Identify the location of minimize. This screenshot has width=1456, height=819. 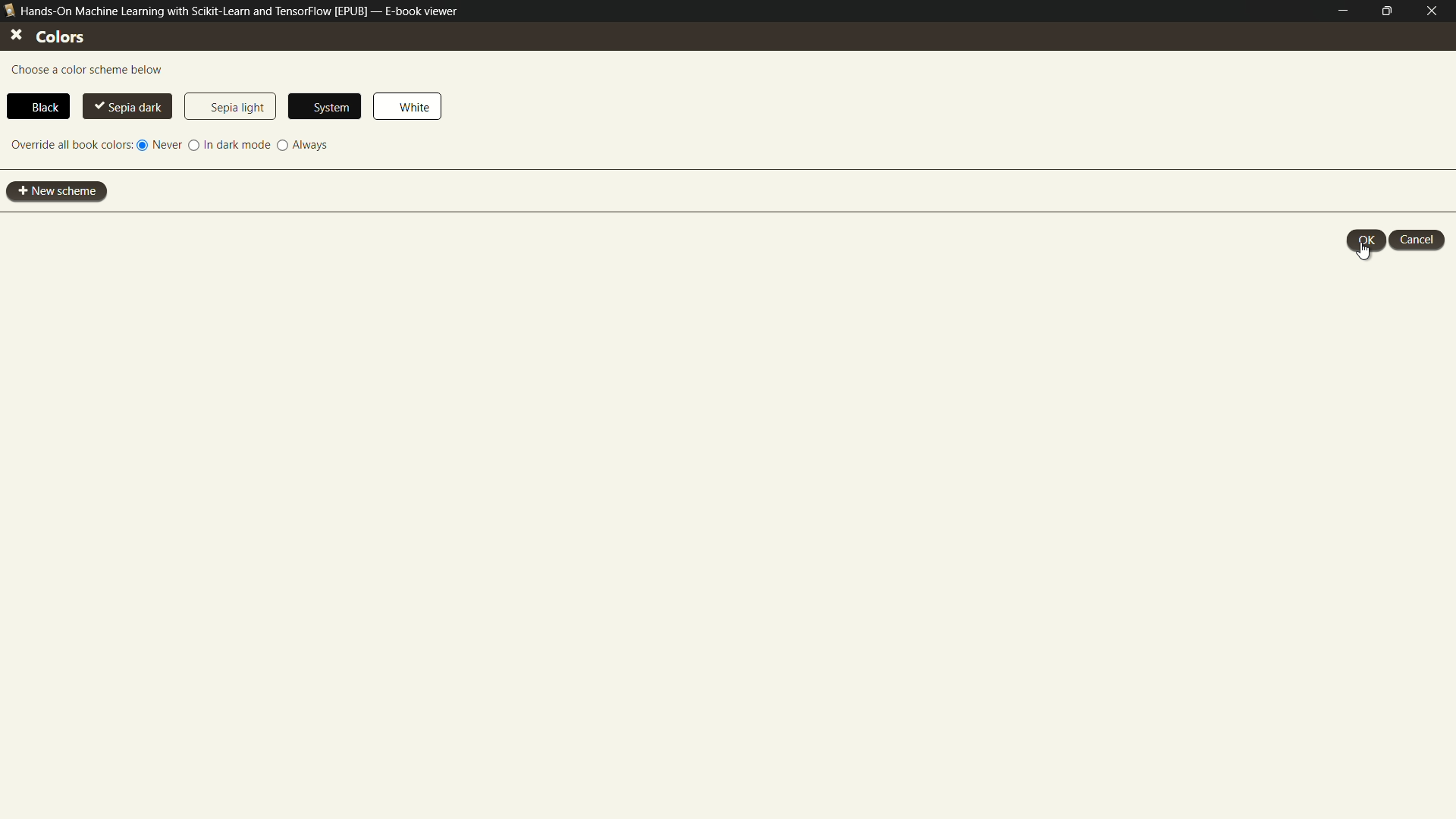
(1343, 11).